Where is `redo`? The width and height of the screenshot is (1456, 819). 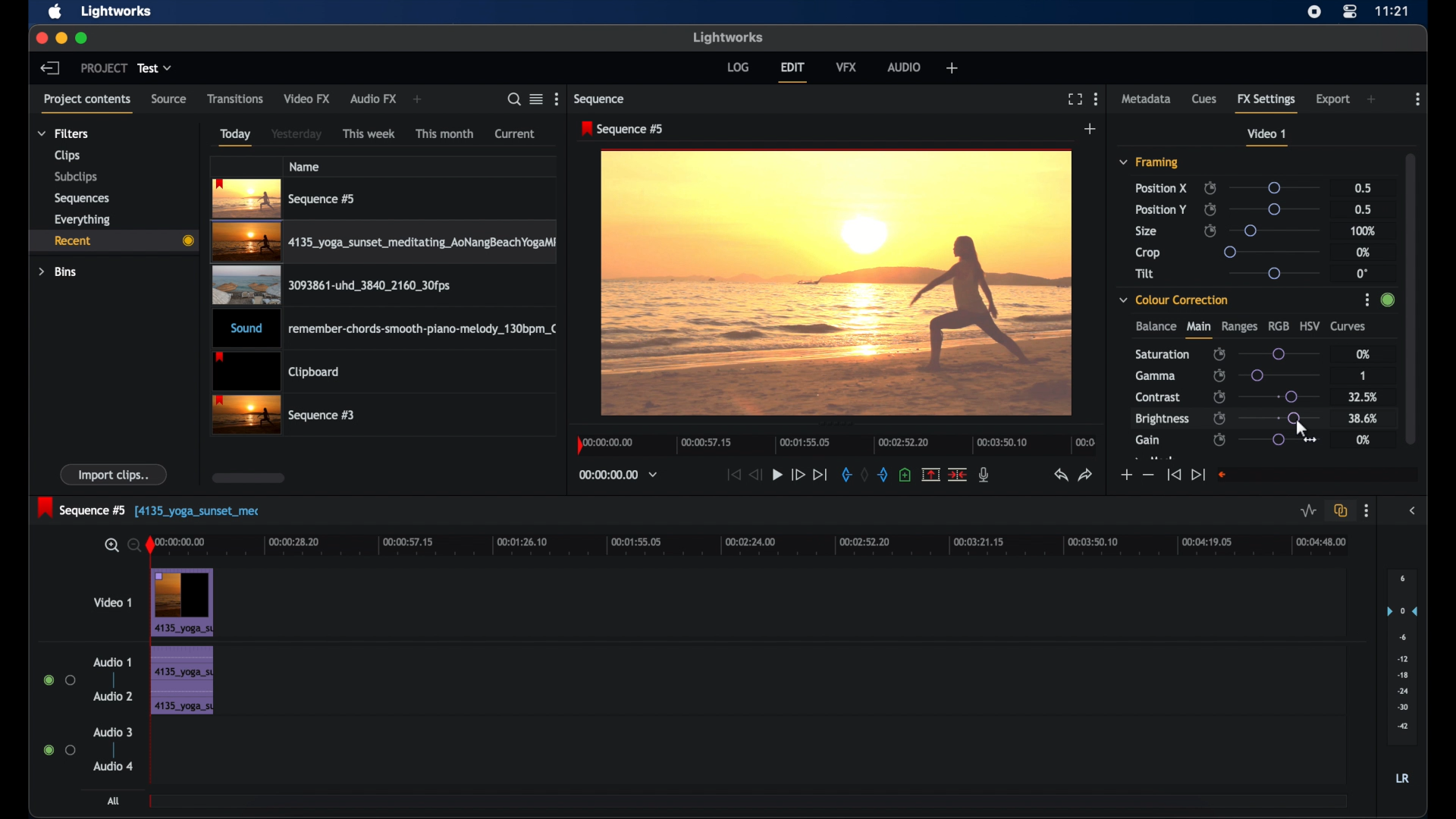 redo is located at coordinates (1087, 475).